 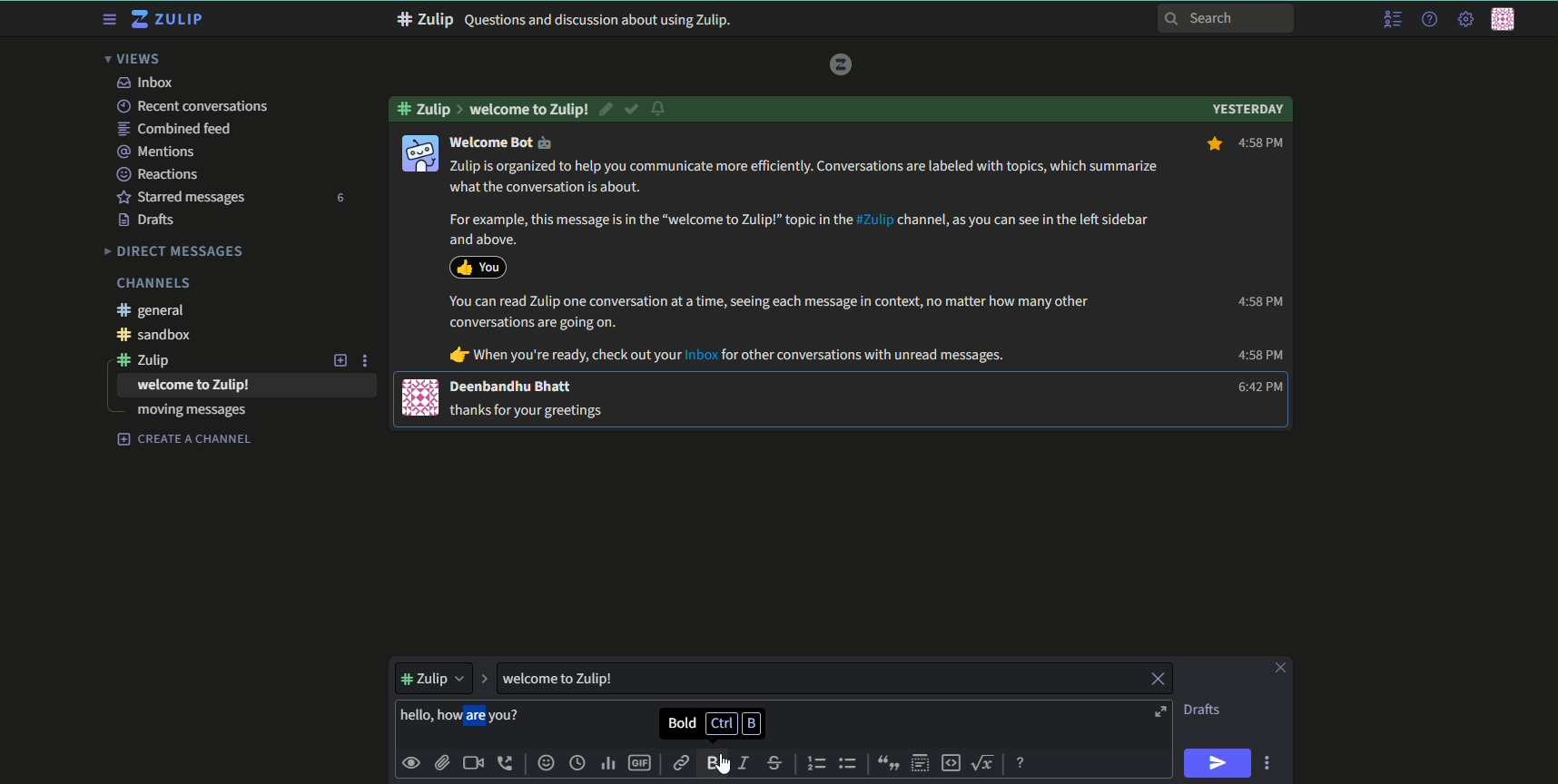 I want to click on highlighted text, so click(x=464, y=717).